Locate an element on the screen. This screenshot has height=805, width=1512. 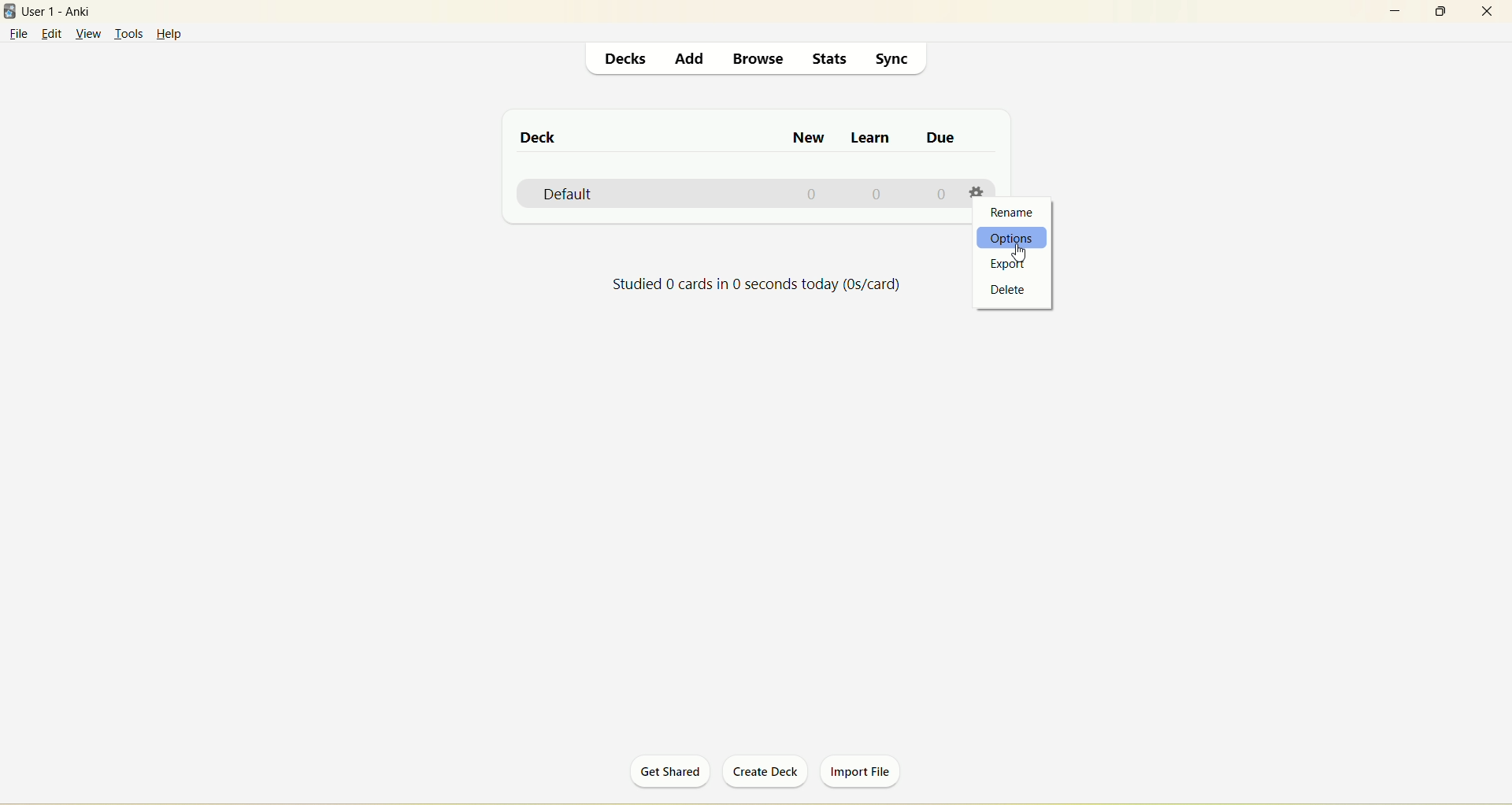
deck is located at coordinates (540, 137).